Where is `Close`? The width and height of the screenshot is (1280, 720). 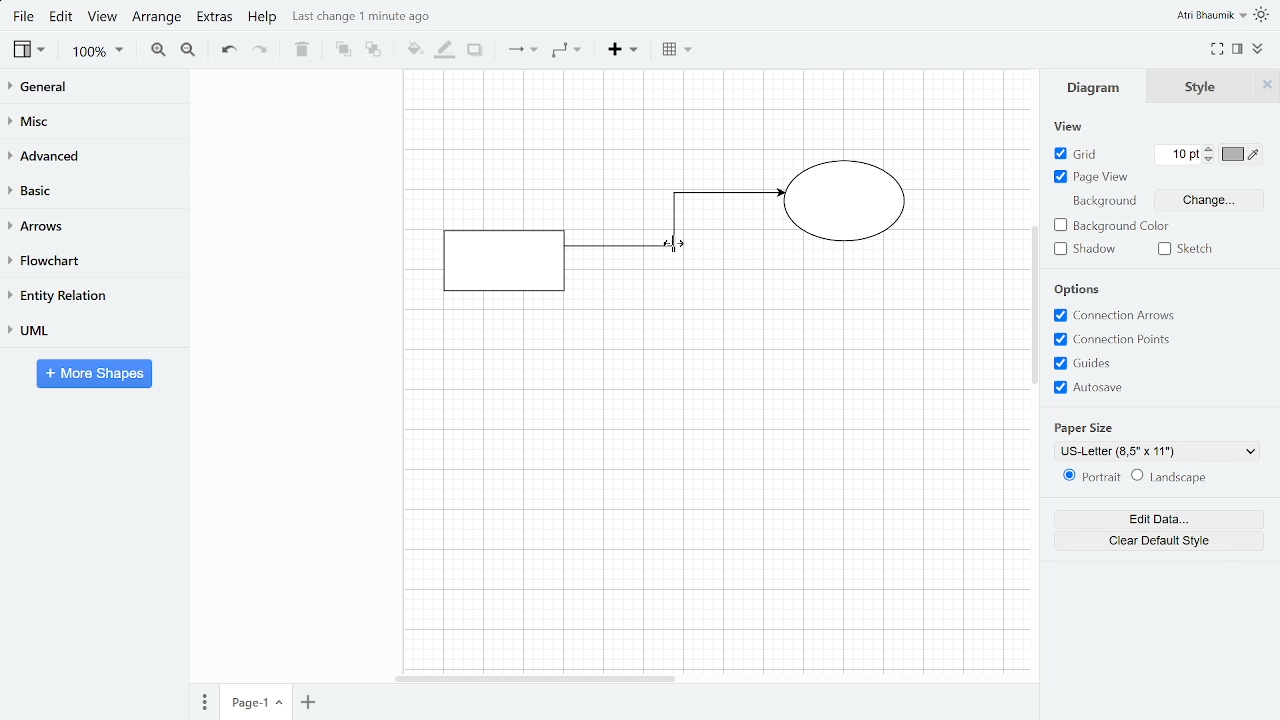
Close is located at coordinates (1267, 86).